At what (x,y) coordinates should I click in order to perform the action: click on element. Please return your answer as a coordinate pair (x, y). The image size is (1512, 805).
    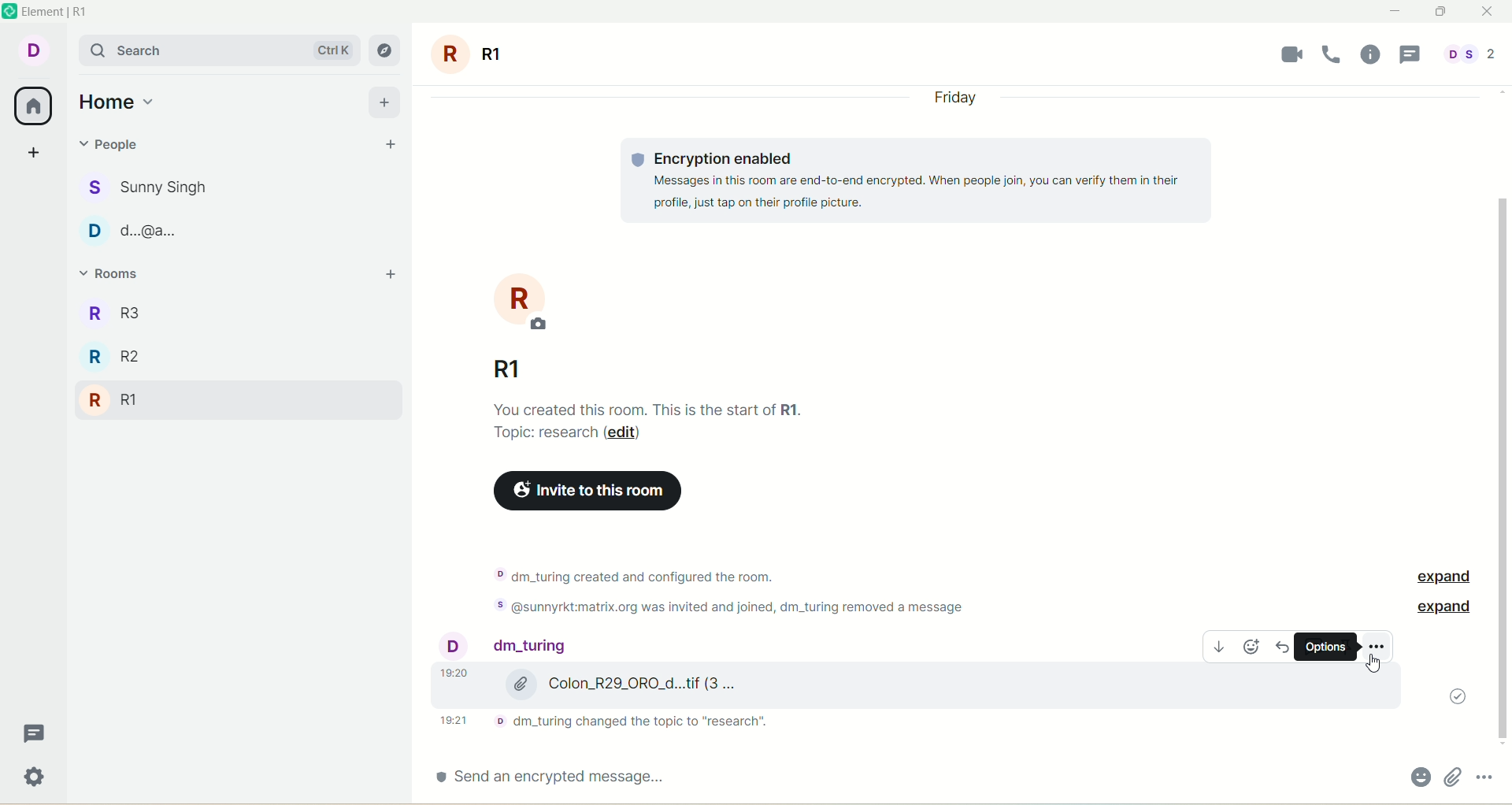
    Looking at the image, I should click on (61, 13).